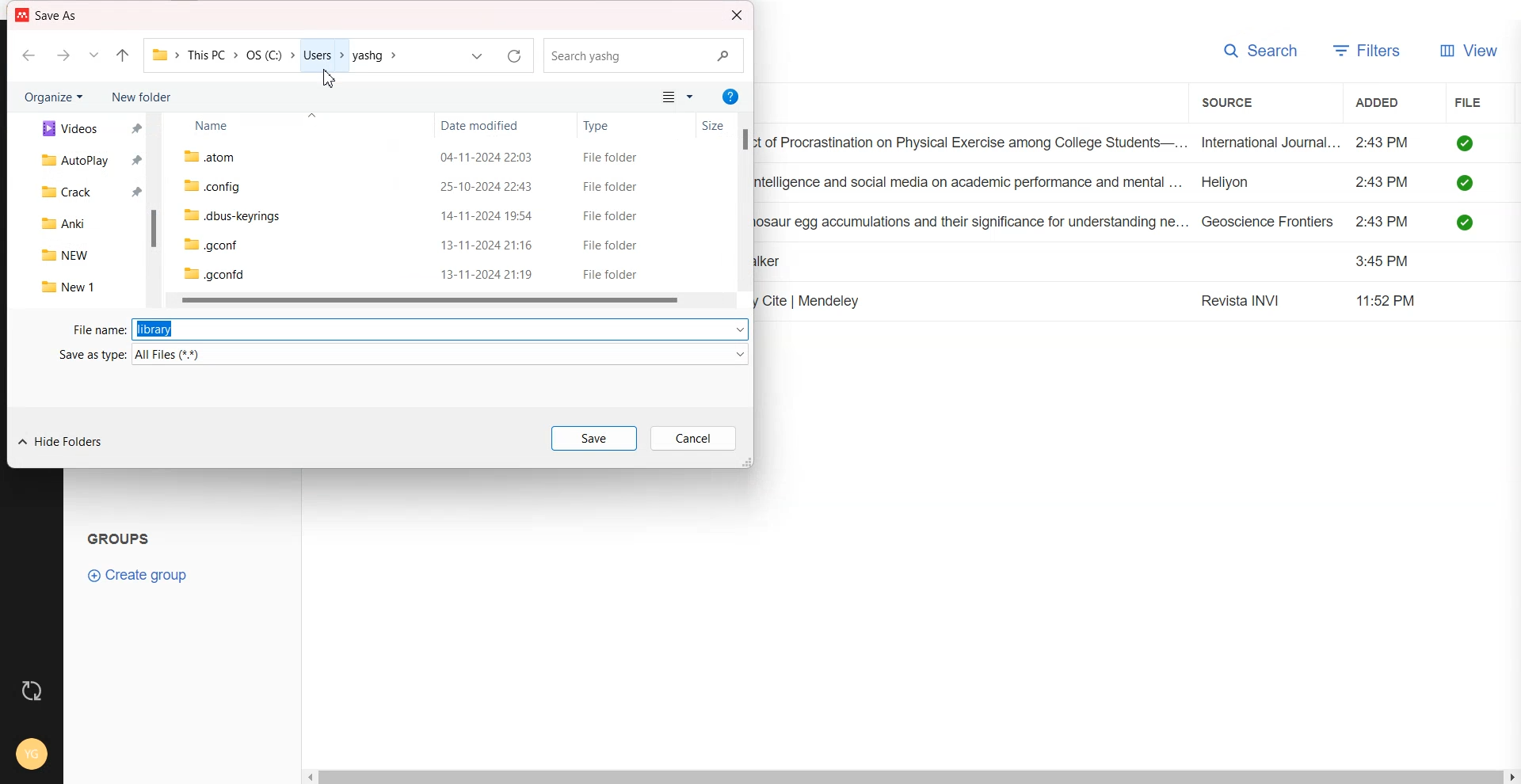 The image size is (1521, 784). I want to click on 13-11-2024 21:16, so click(491, 245).